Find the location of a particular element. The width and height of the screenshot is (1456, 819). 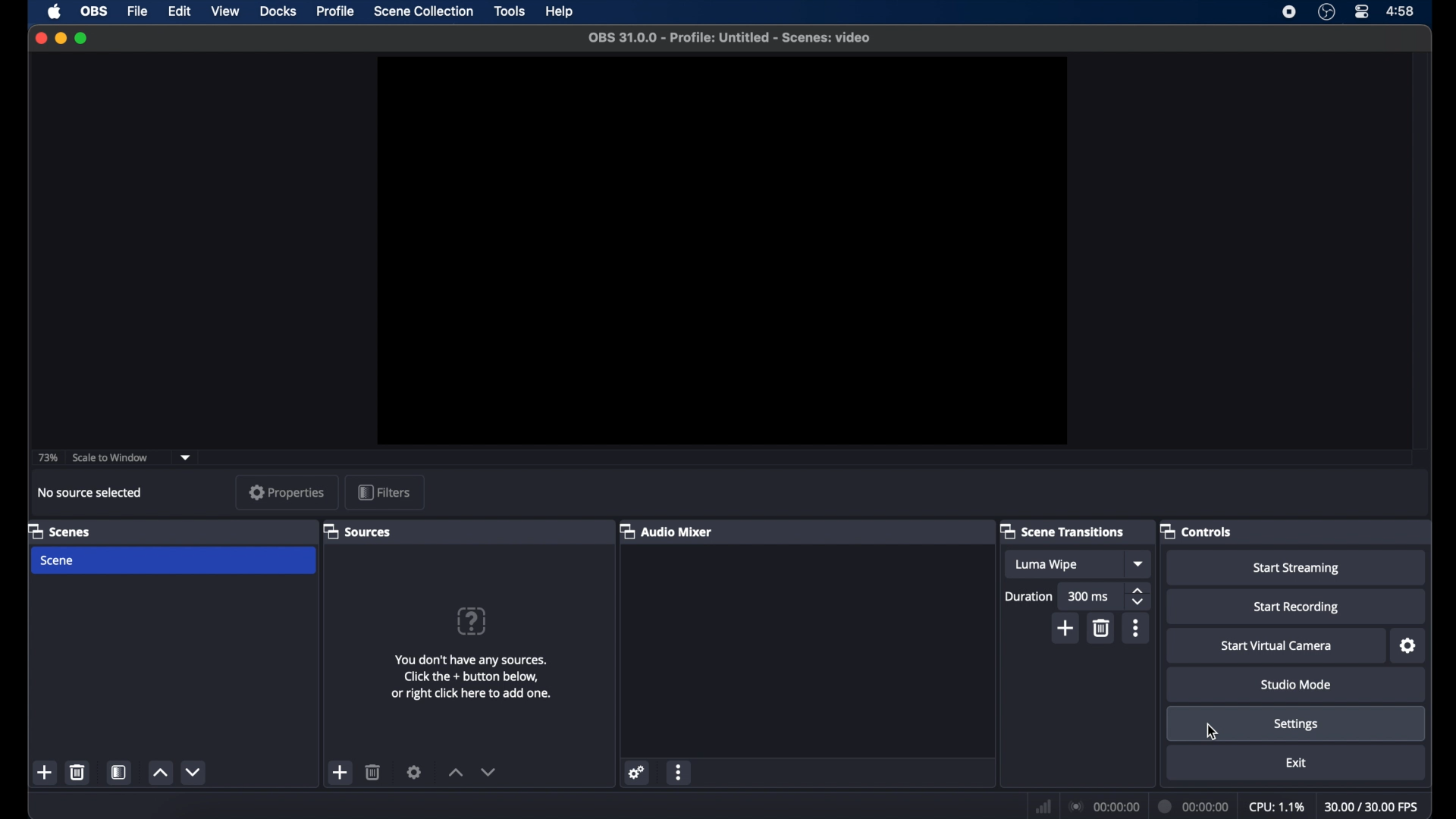

sources is located at coordinates (358, 532).